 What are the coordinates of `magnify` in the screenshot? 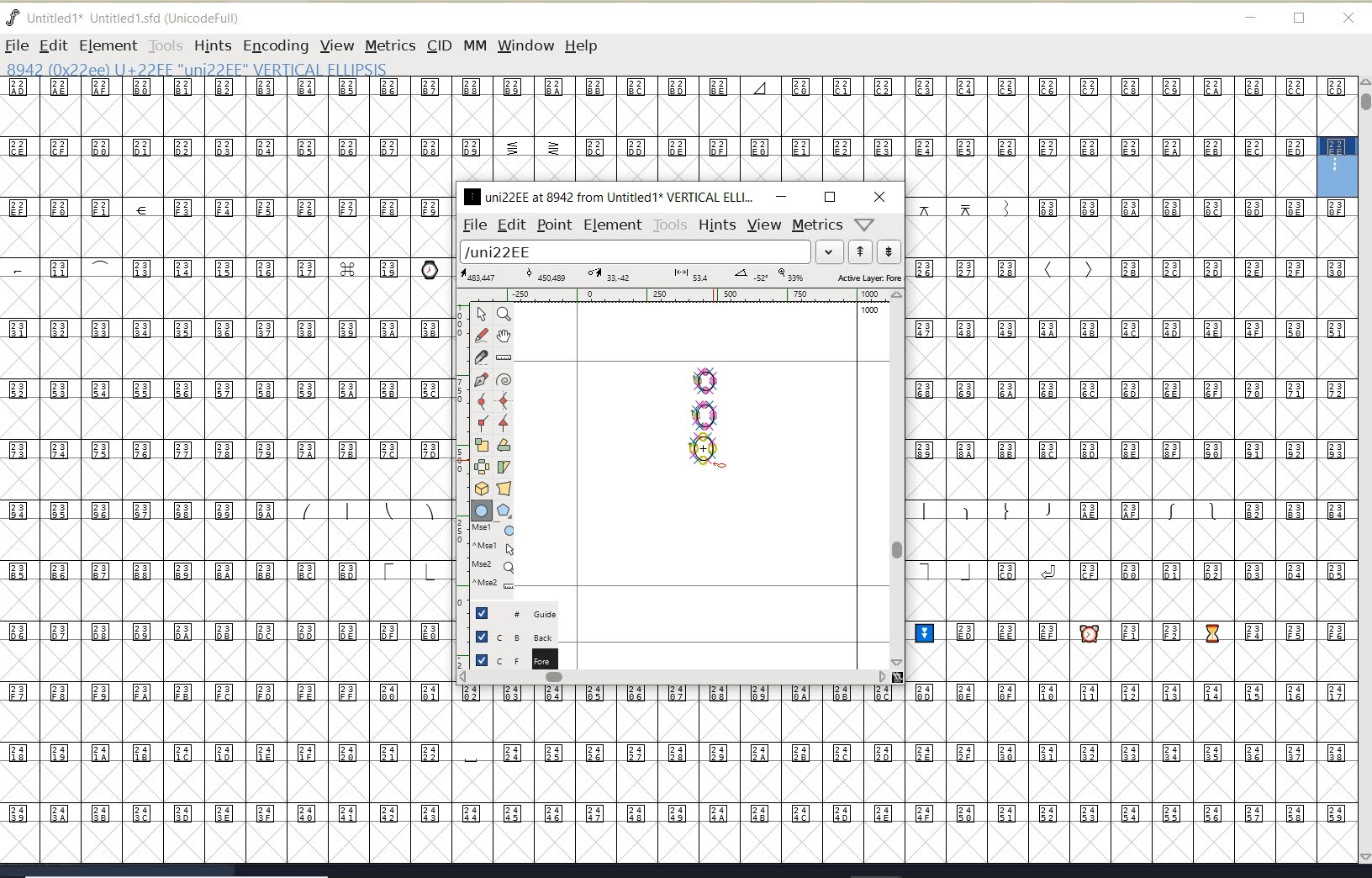 It's located at (504, 314).